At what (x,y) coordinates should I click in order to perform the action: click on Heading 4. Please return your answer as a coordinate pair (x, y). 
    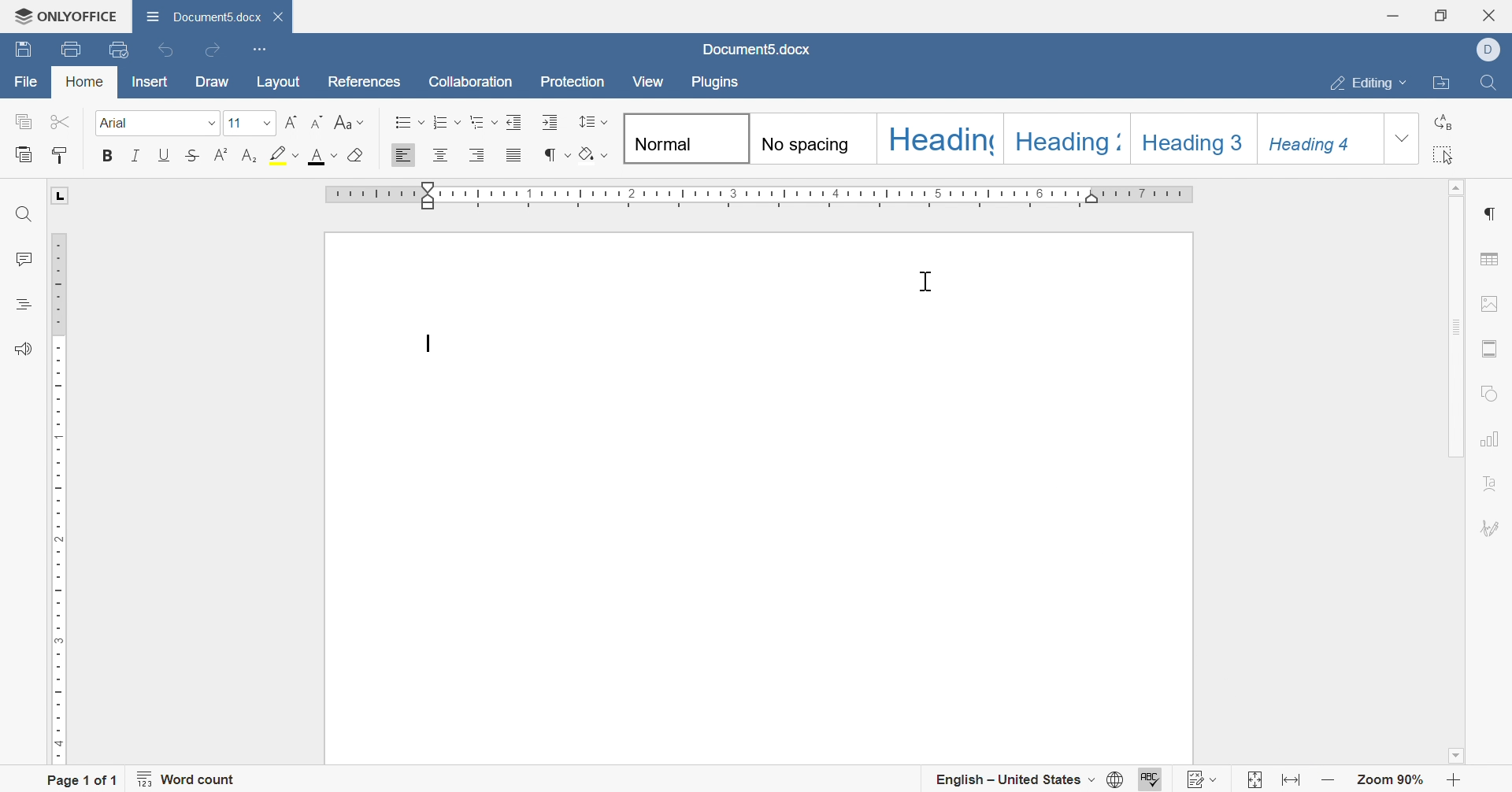
    Looking at the image, I should click on (1317, 138).